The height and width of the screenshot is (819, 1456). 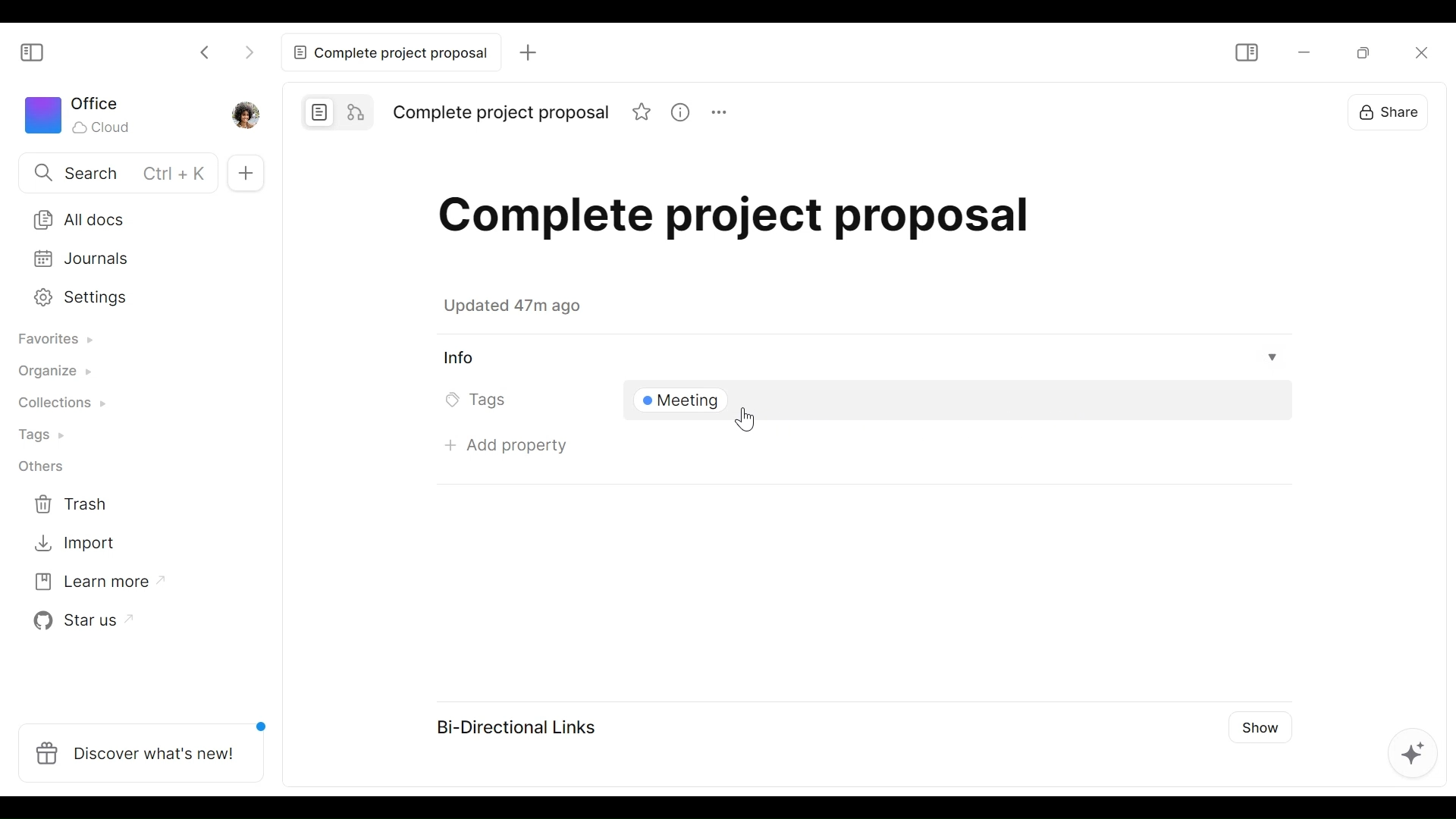 I want to click on Cursor, so click(x=745, y=421).